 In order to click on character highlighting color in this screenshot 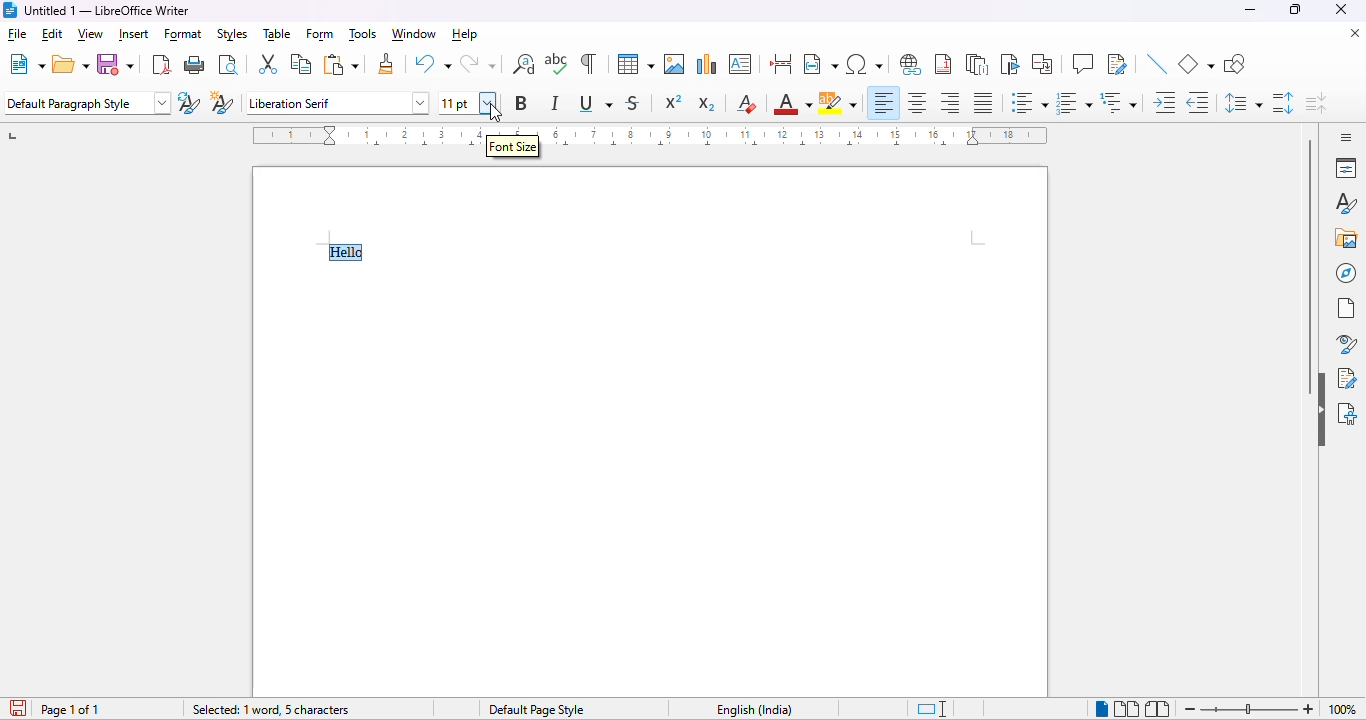, I will do `click(839, 104)`.